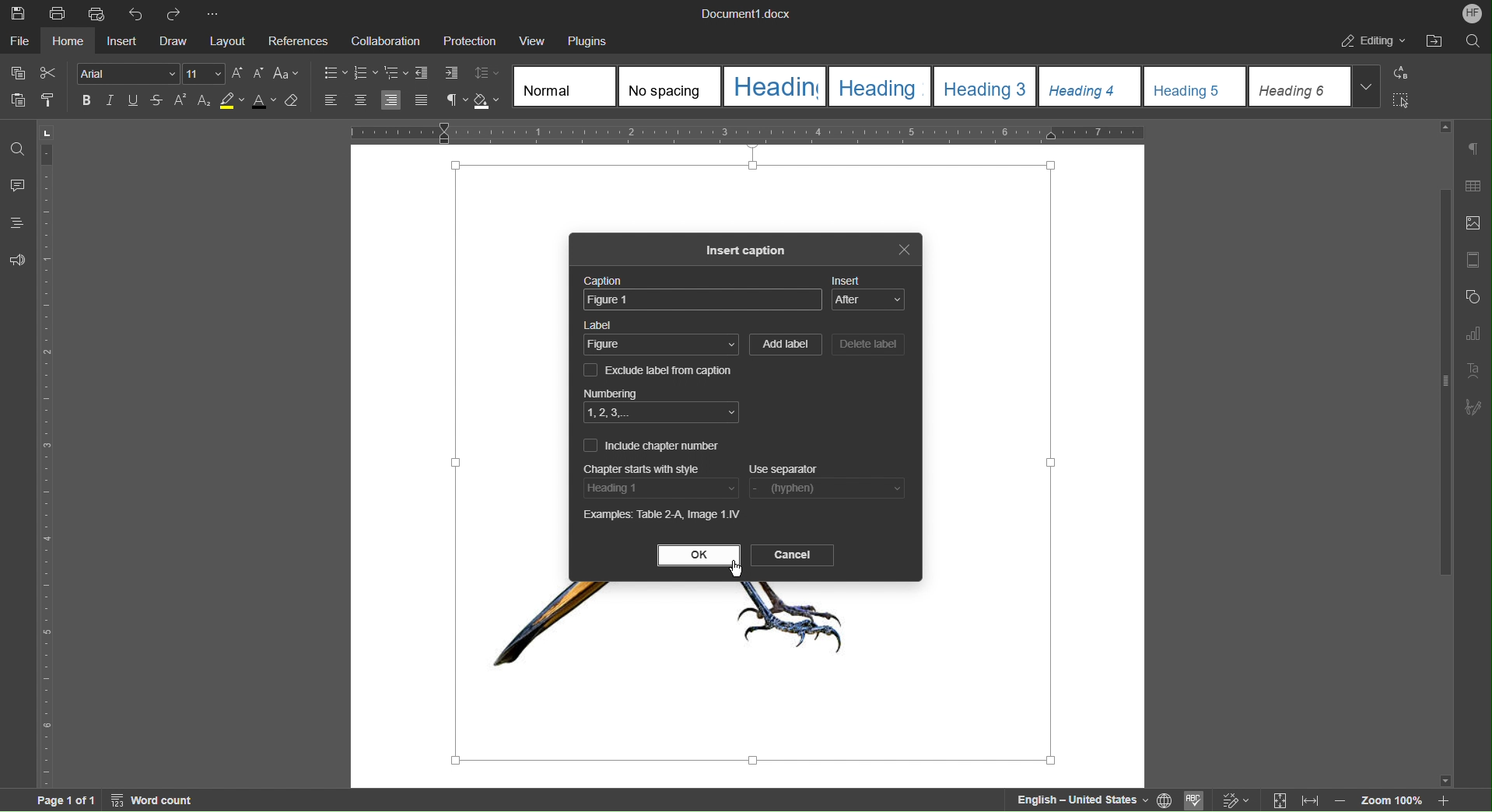 This screenshot has width=1492, height=812. I want to click on Numbered List, so click(366, 72).